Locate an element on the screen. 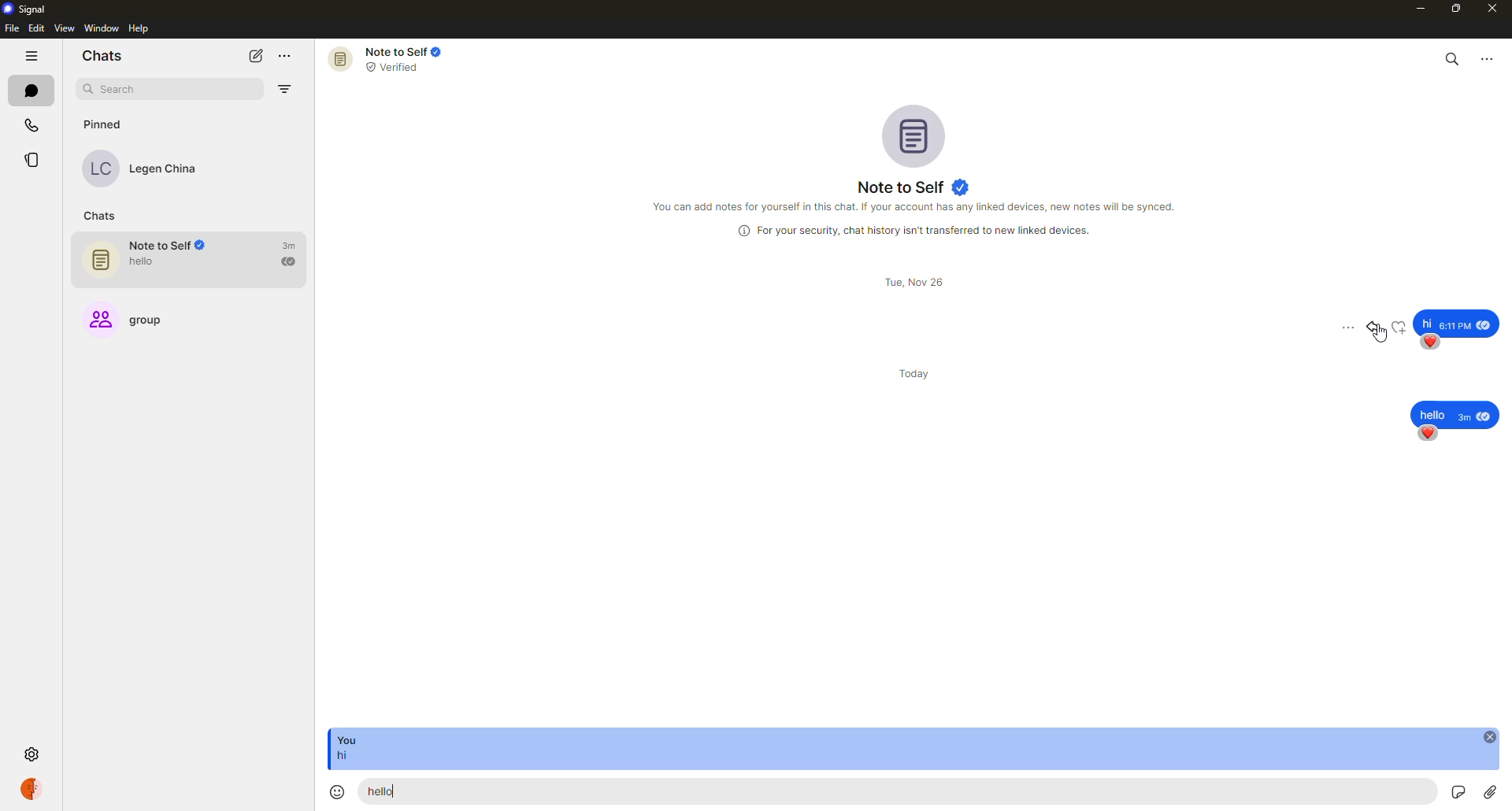 The image size is (1512, 811). reaction is located at coordinates (1426, 434).